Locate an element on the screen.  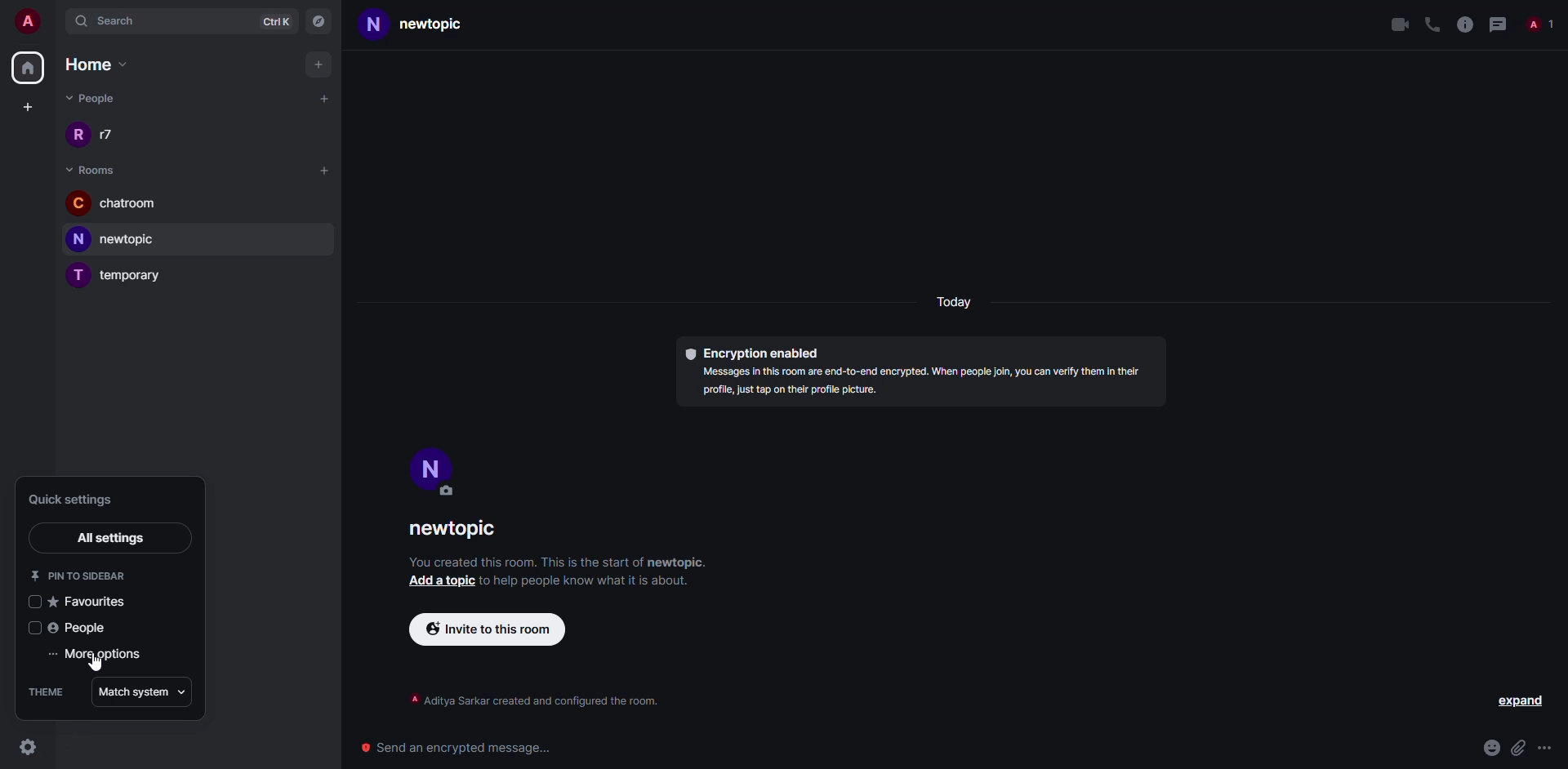
match system is located at coordinates (145, 692).